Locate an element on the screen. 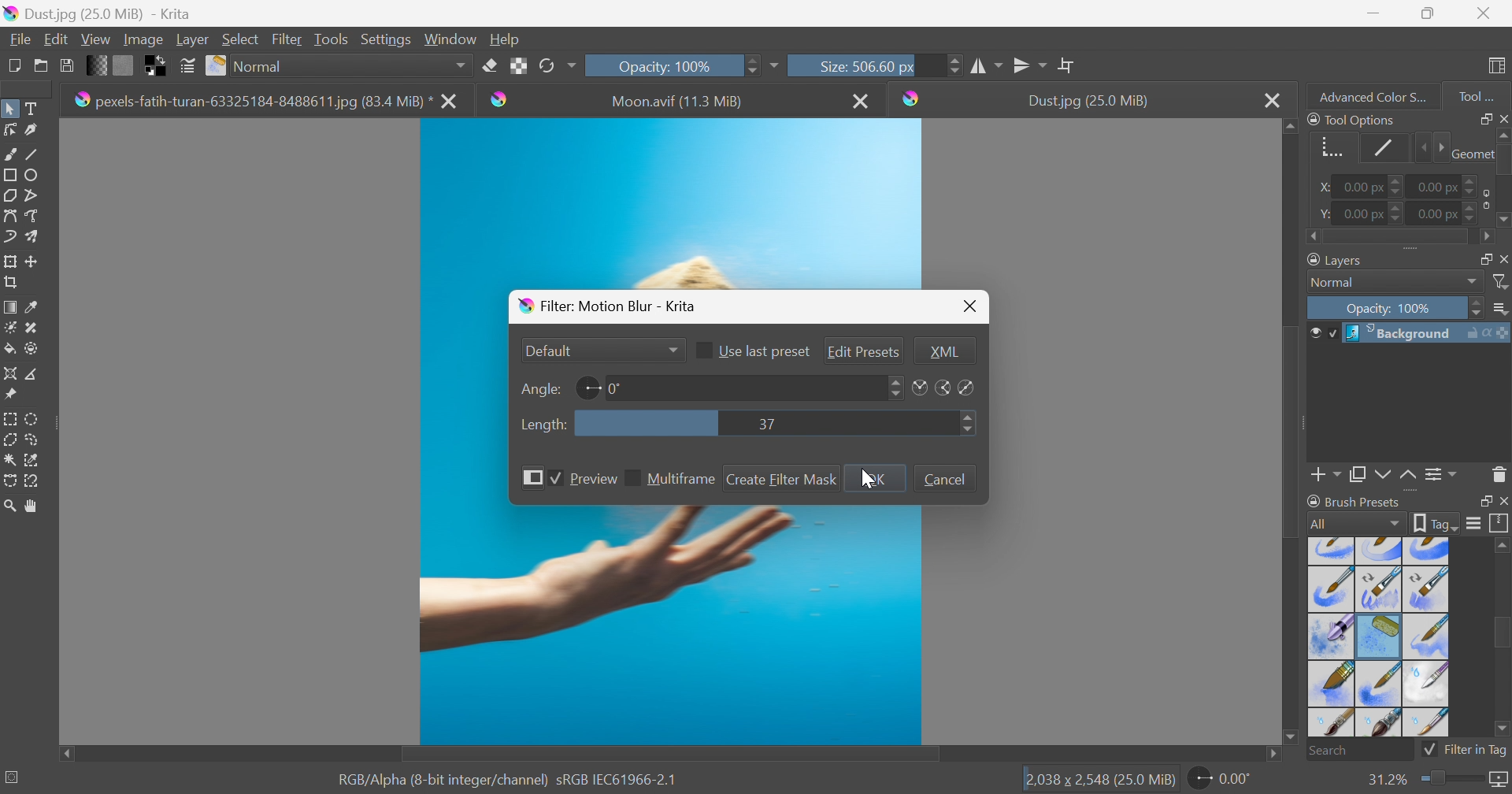  Map the displayed canvas size between pixel size or print size is located at coordinates (1498, 781).